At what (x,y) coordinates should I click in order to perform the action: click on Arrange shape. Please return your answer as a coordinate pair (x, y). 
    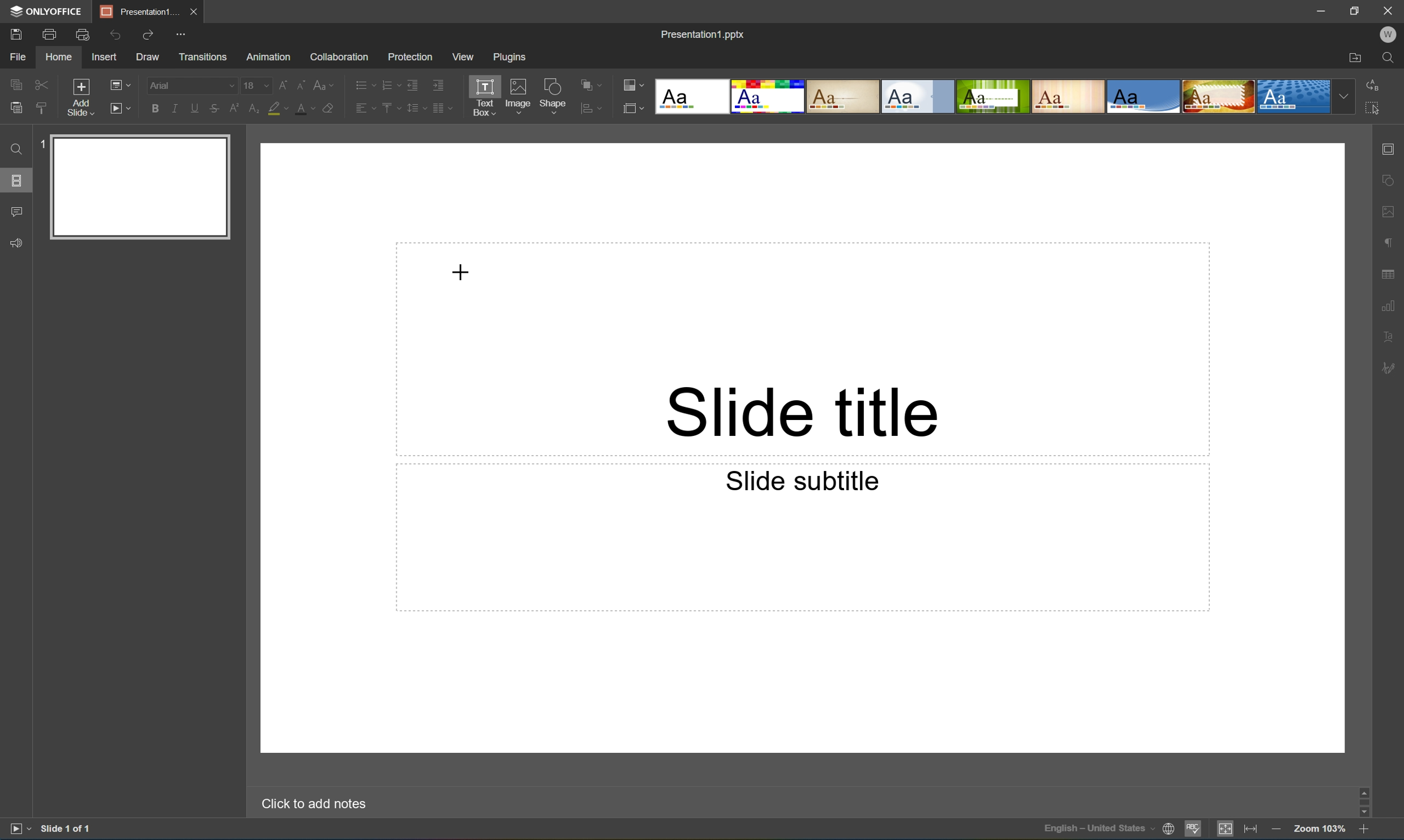
    Looking at the image, I should click on (594, 85).